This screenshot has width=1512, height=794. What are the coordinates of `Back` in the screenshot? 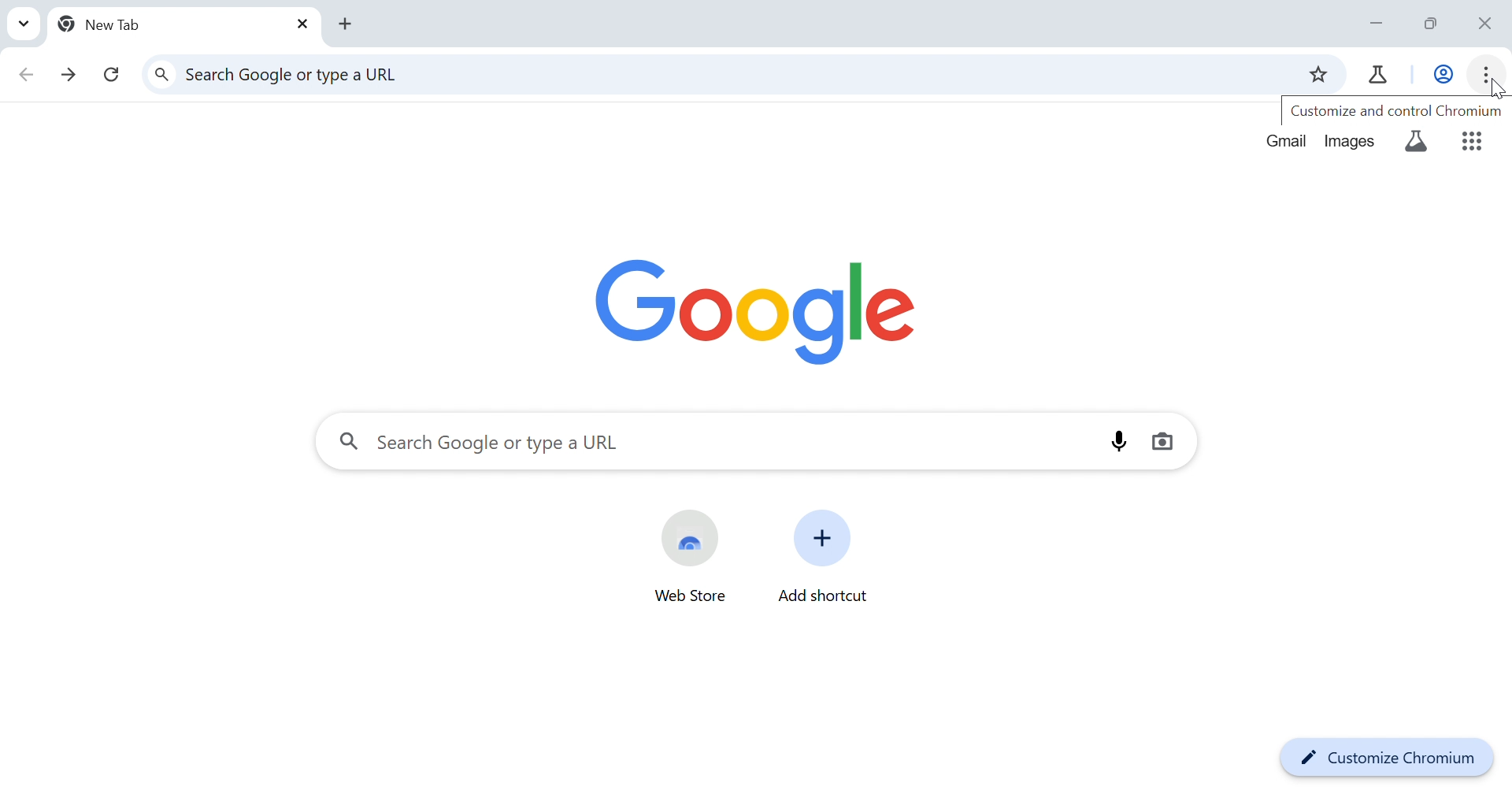 It's located at (26, 78).